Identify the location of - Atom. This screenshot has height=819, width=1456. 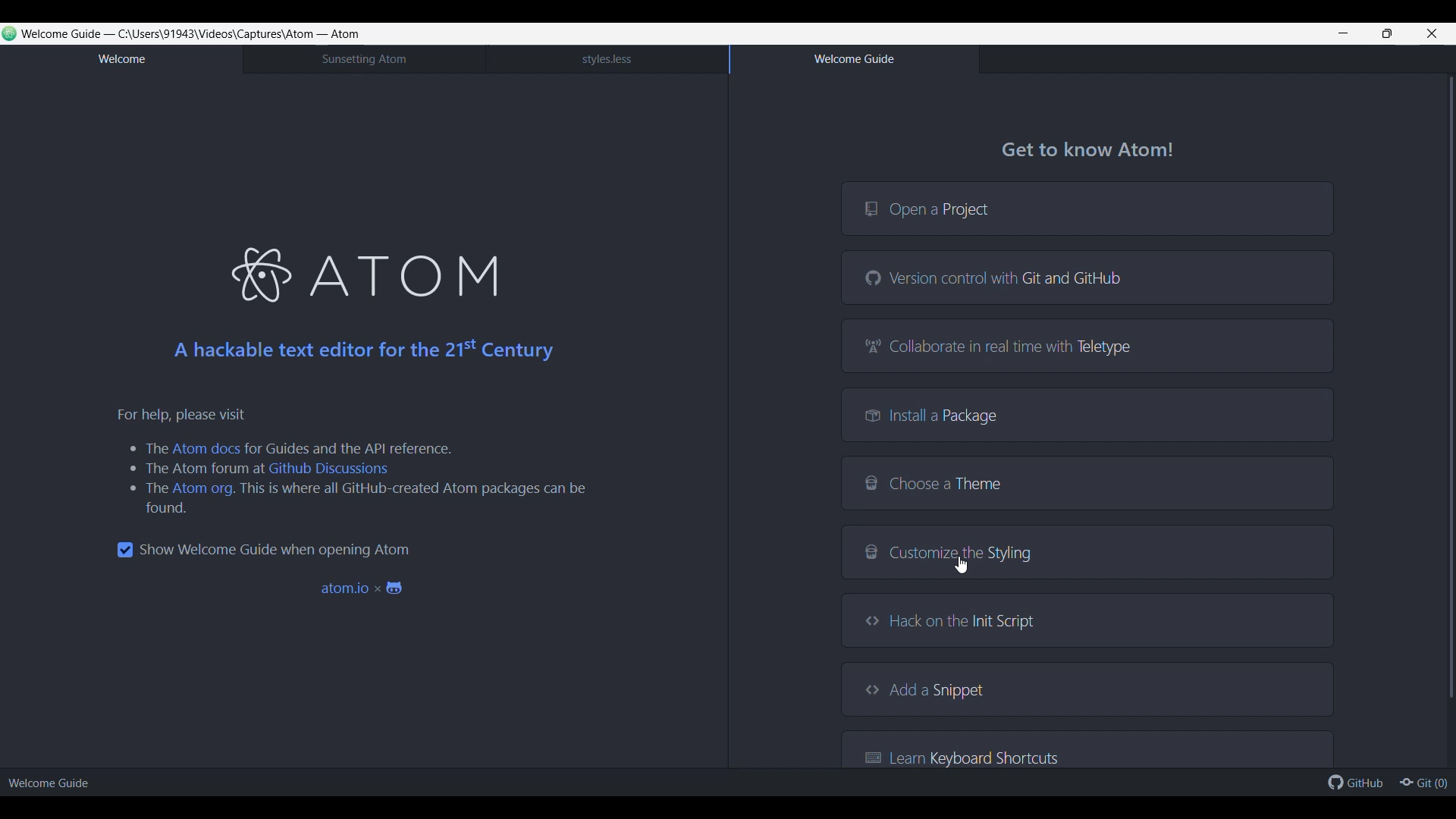
(340, 34).